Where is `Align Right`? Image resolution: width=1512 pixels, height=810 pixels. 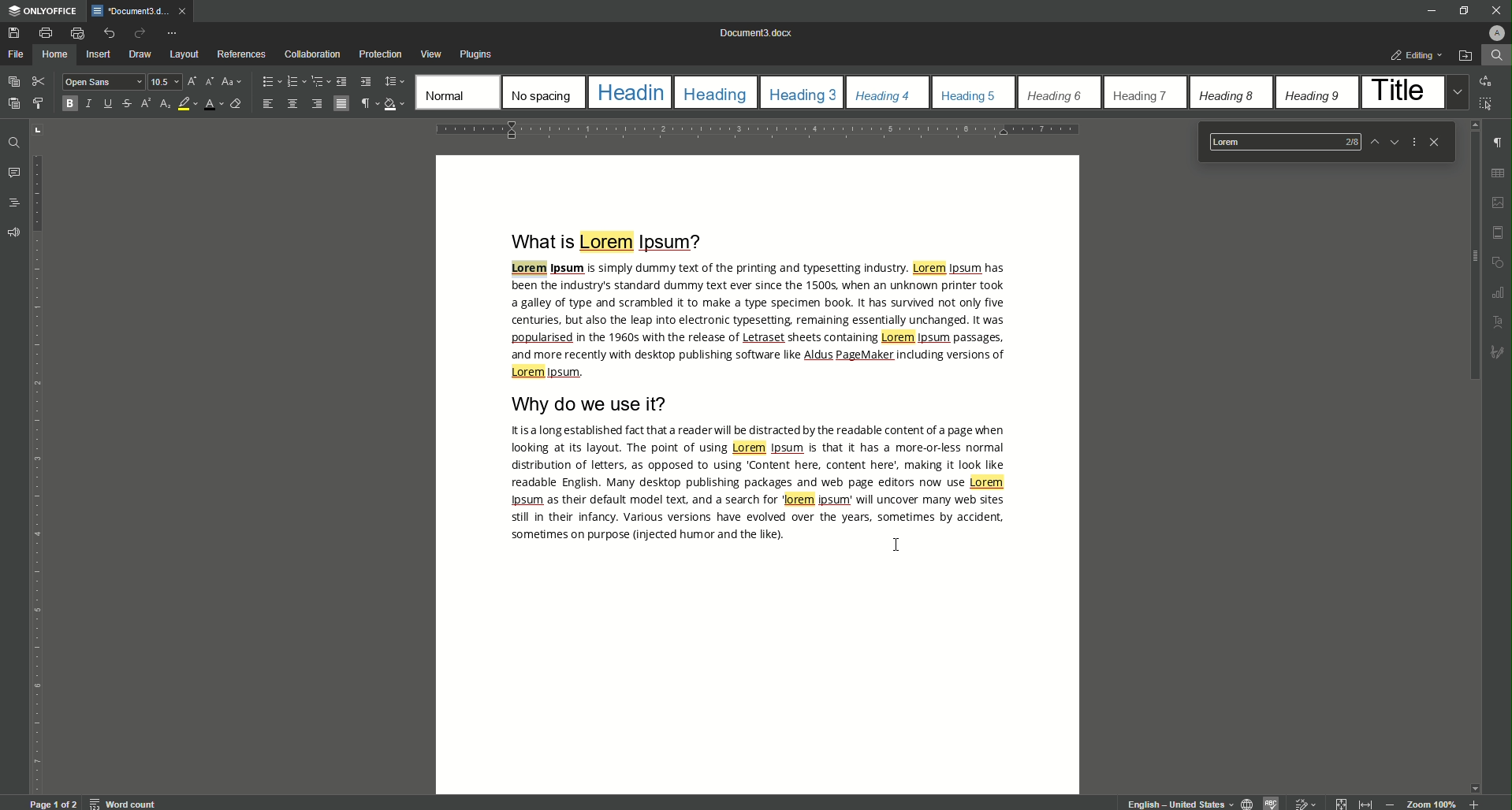 Align Right is located at coordinates (316, 105).